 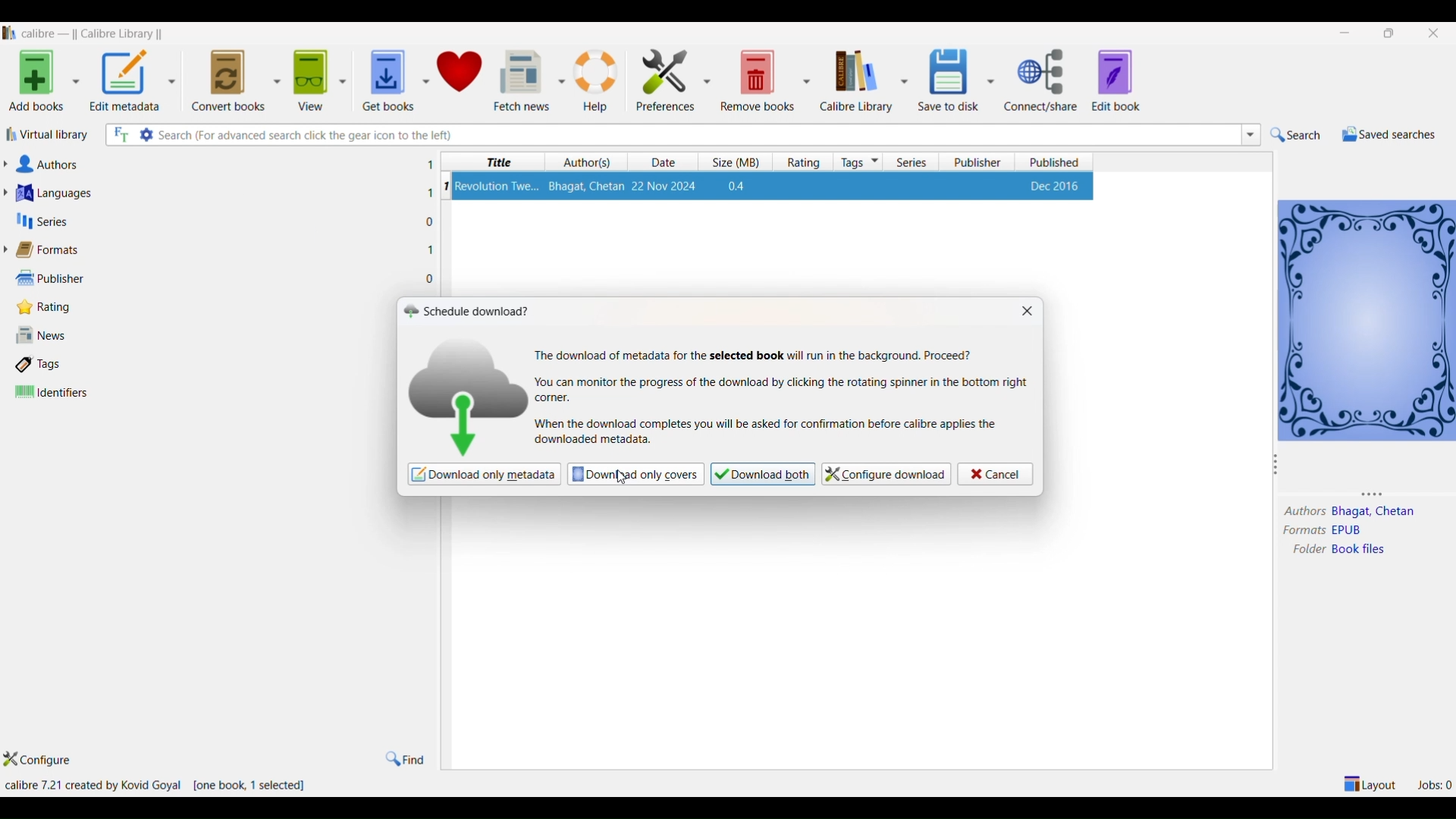 What do you see at coordinates (1276, 467) in the screenshot?
I see `resize` at bounding box center [1276, 467].